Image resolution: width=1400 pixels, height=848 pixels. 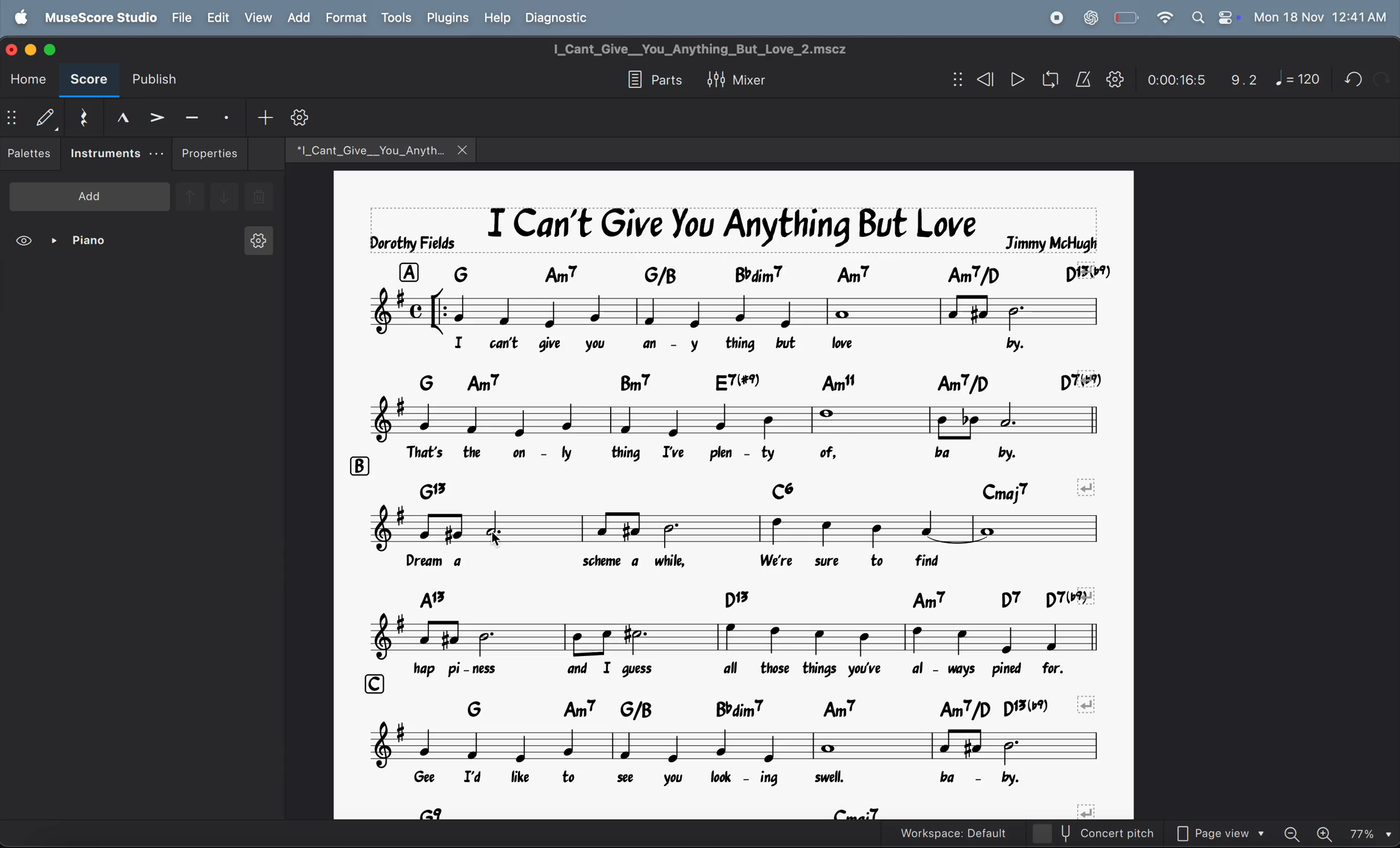 I want to click on properties, so click(x=210, y=152).